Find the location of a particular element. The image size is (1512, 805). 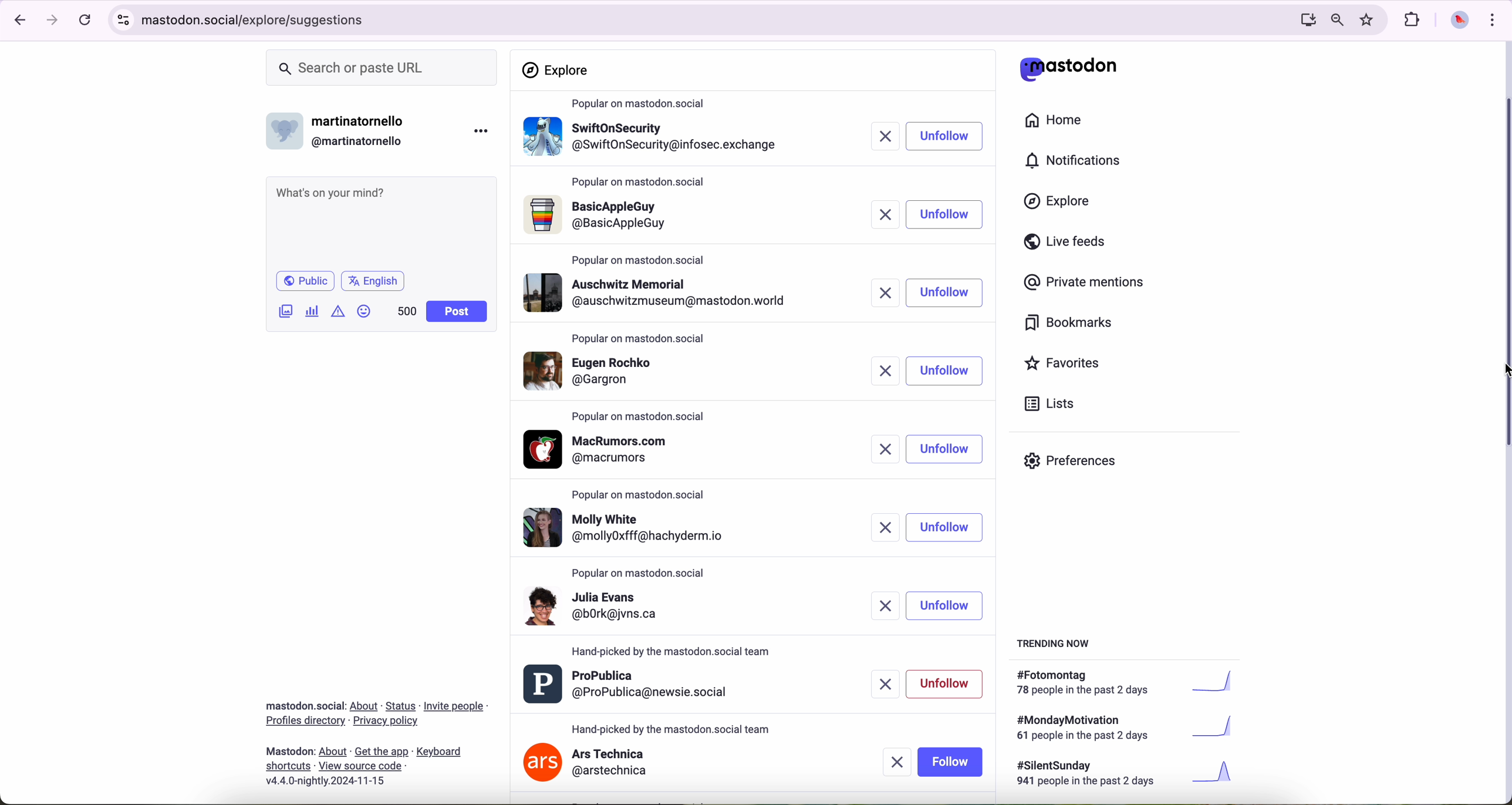

about is located at coordinates (376, 739).